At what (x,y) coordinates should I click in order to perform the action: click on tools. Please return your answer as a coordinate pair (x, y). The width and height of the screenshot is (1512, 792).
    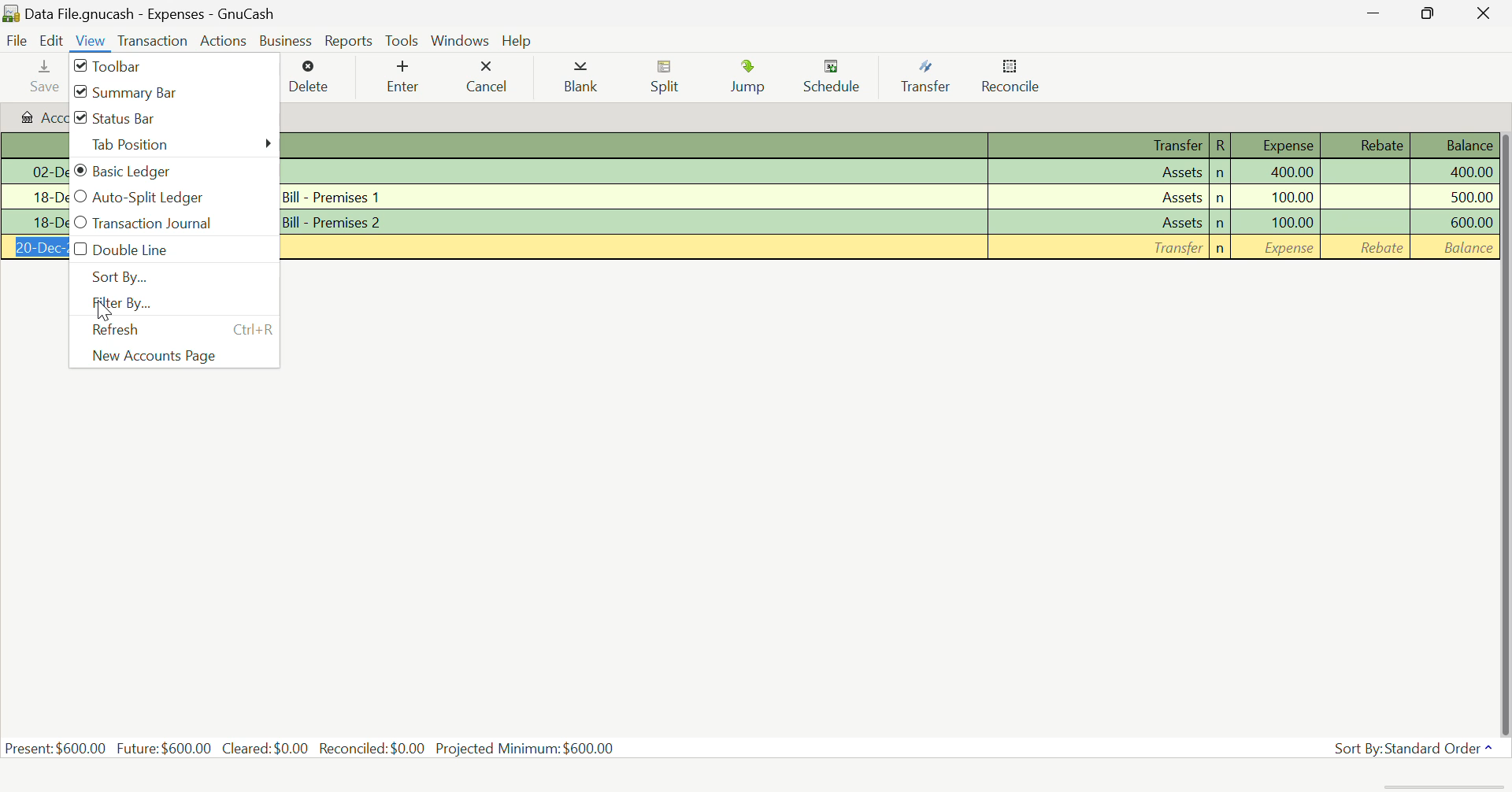
    Looking at the image, I should click on (402, 41).